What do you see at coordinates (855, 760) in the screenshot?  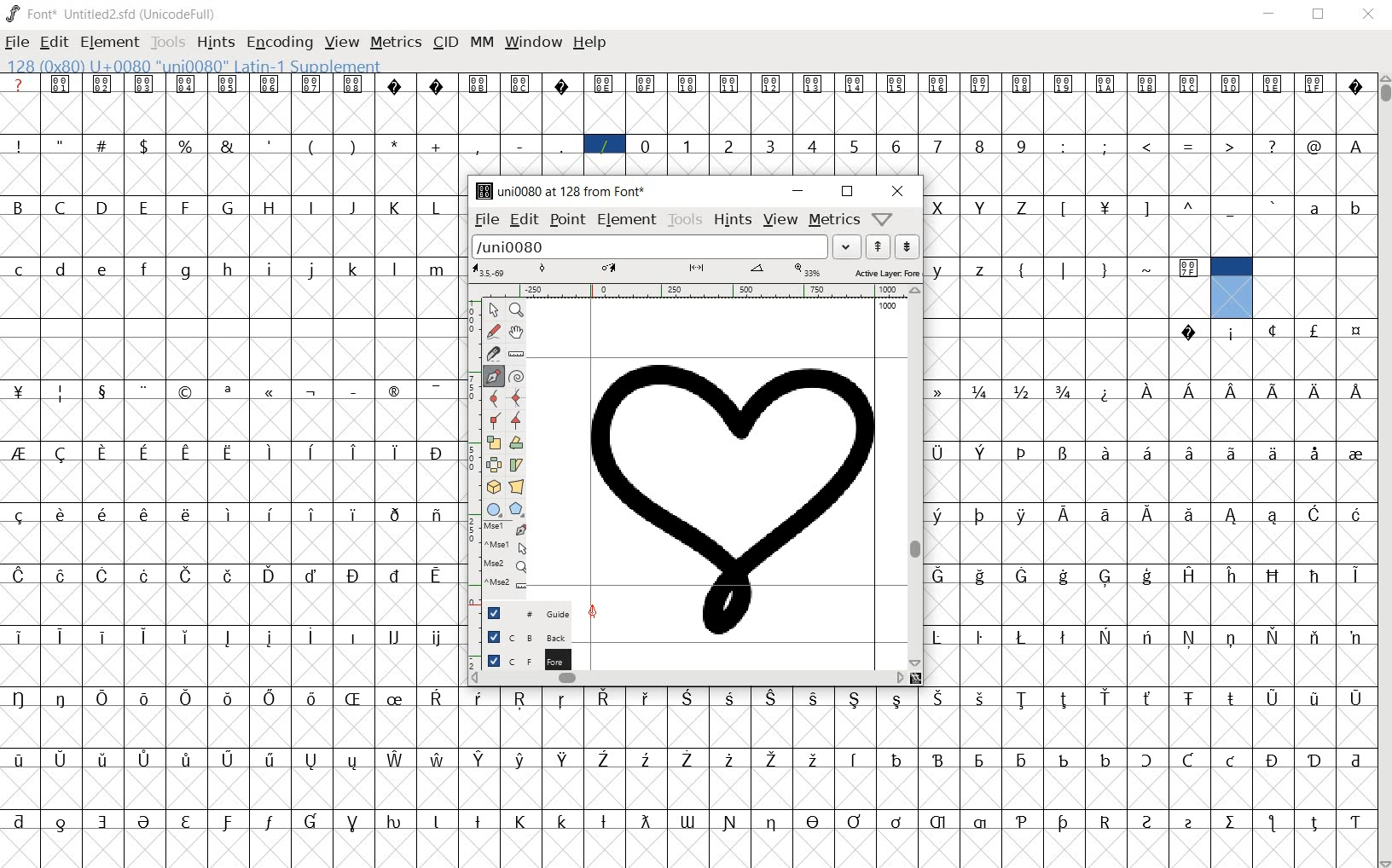 I see `glyph` at bounding box center [855, 760].